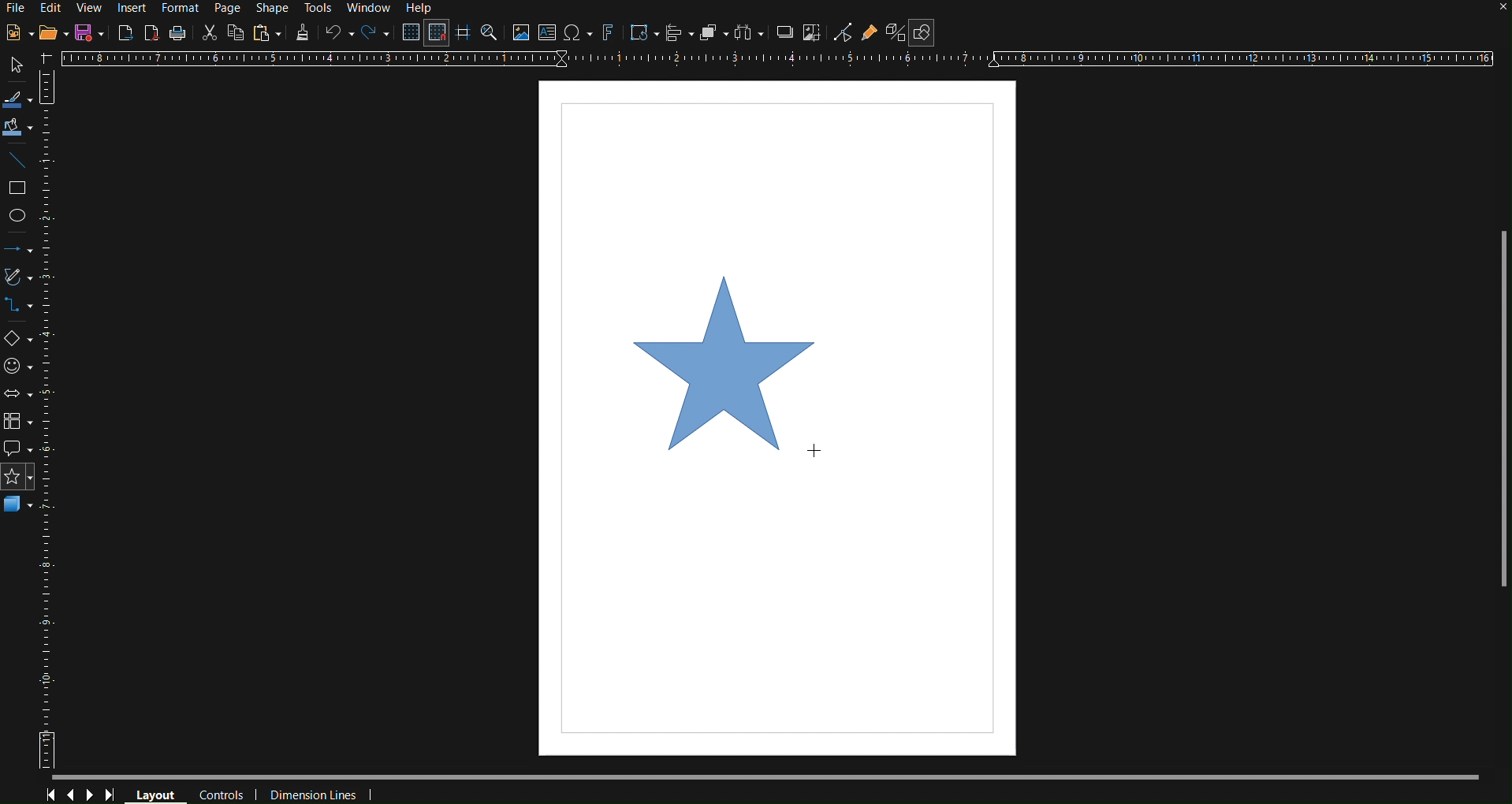 The height and width of the screenshot is (804, 1512). I want to click on New, so click(19, 33).